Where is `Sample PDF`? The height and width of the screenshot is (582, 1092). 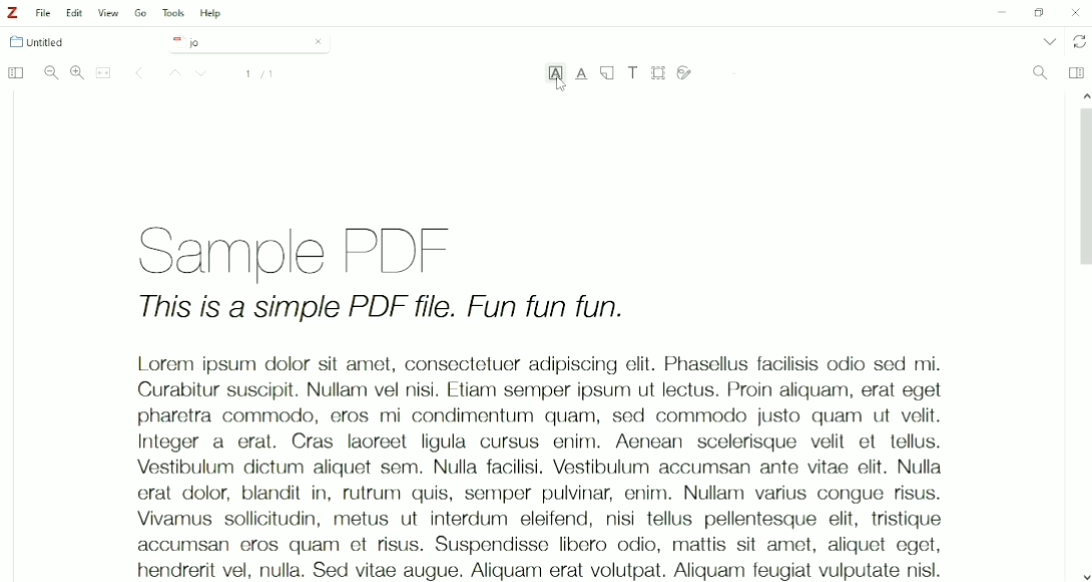
Sample PDF is located at coordinates (318, 248).